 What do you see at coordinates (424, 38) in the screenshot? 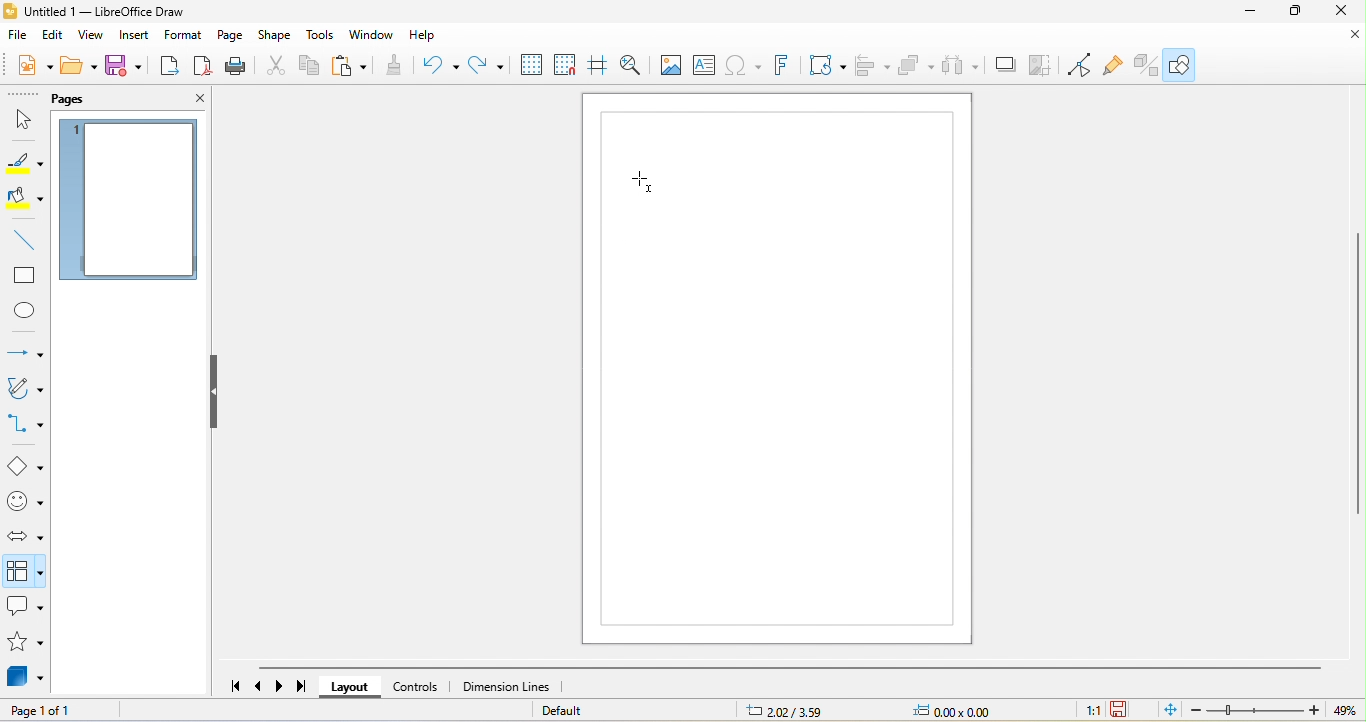
I see `help` at bounding box center [424, 38].